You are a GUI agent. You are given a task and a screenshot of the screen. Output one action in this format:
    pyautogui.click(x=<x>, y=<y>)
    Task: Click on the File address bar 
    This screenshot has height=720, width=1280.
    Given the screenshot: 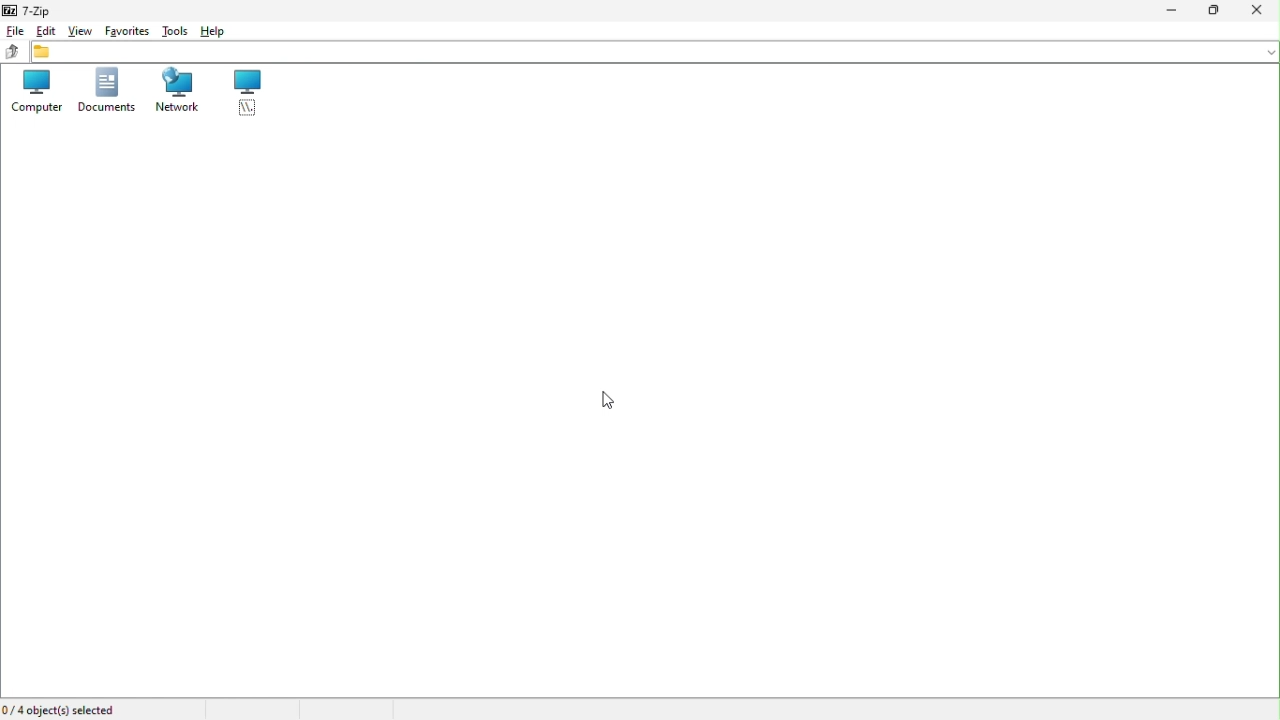 What is the action you would take?
    pyautogui.click(x=654, y=51)
    